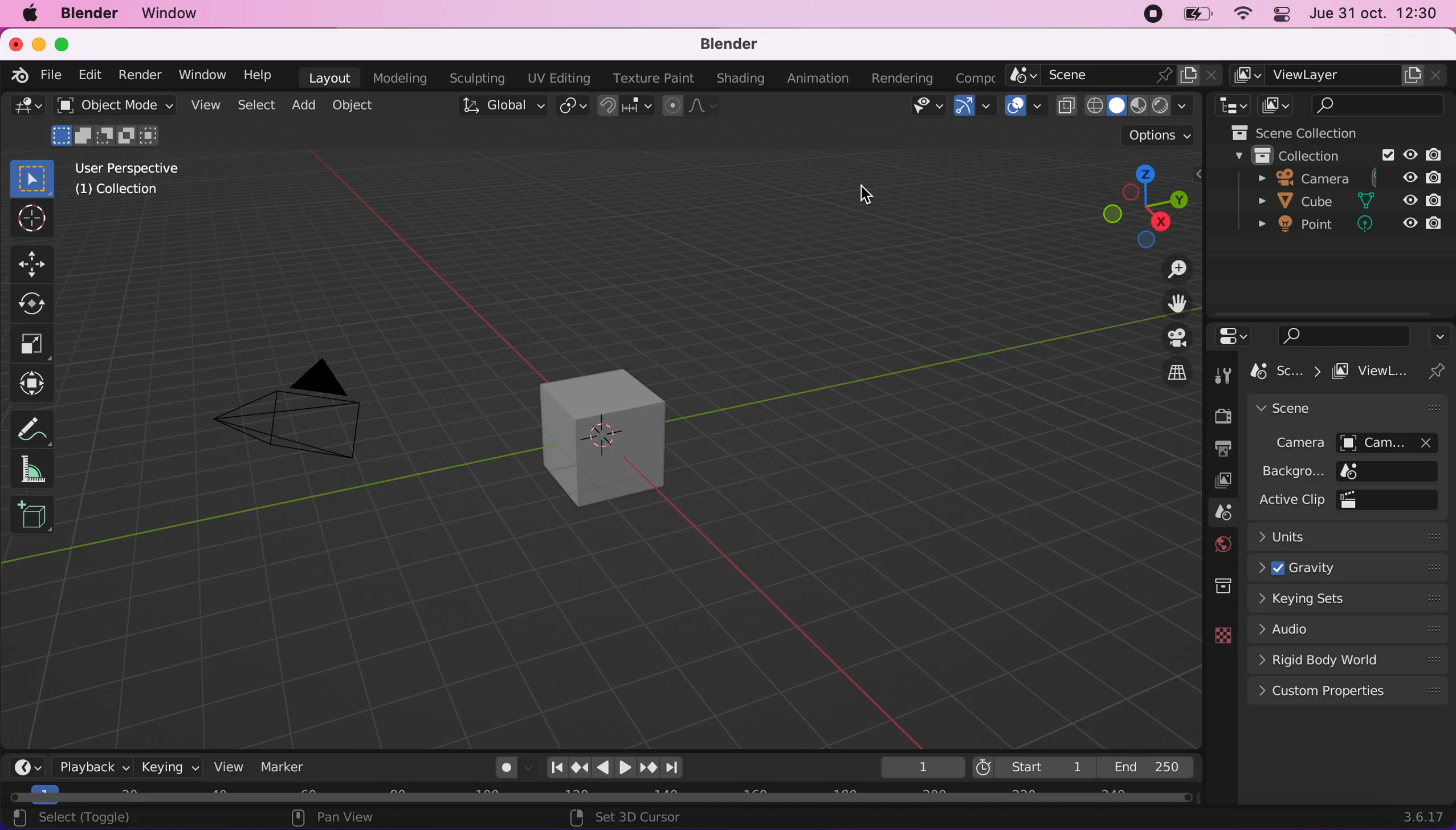  What do you see at coordinates (650, 768) in the screenshot?
I see `Jump to keyframe` at bounding box center [650, 768].